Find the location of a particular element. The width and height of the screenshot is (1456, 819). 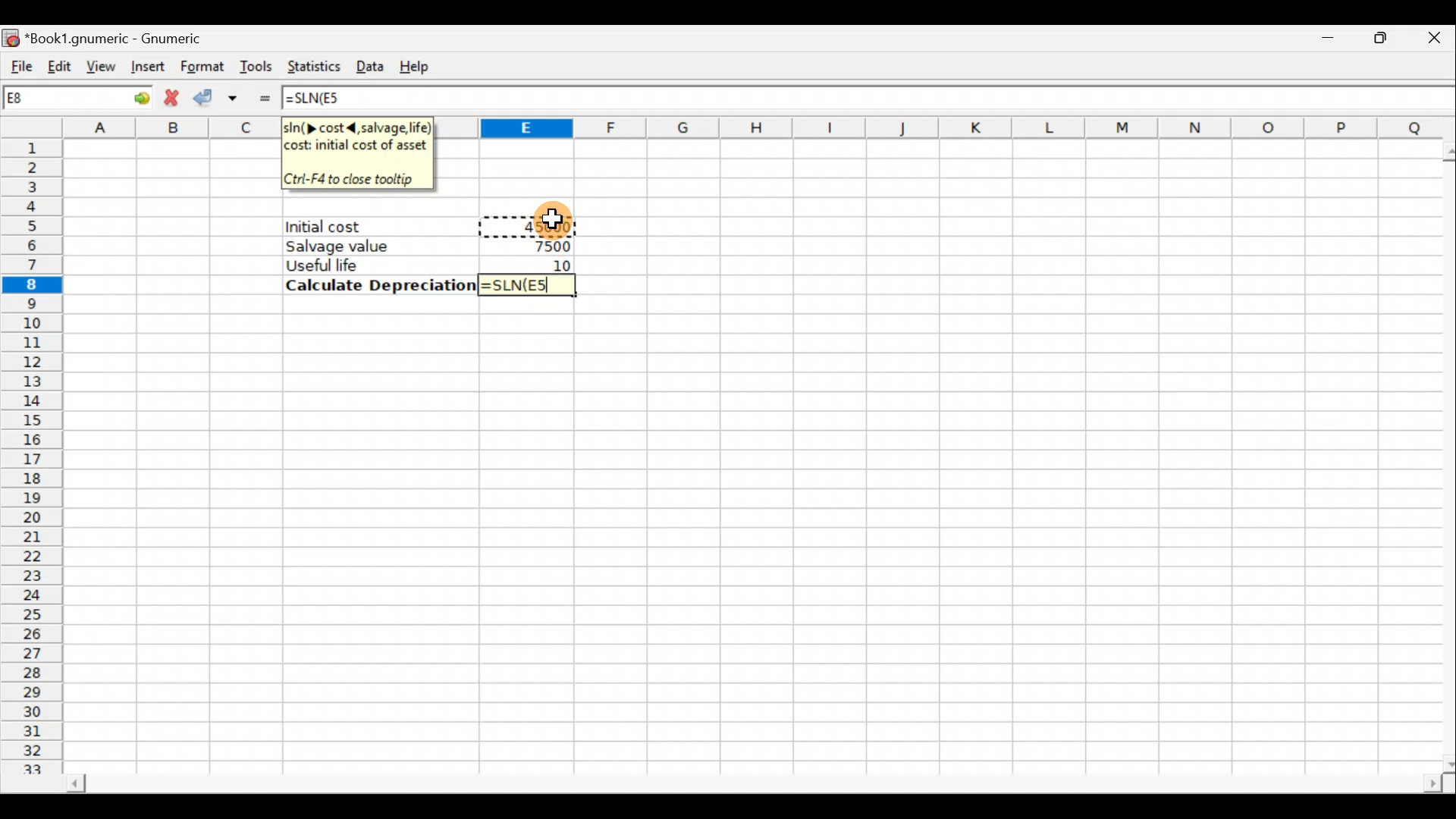

Scroll bar is located at coordinates (739, 780).